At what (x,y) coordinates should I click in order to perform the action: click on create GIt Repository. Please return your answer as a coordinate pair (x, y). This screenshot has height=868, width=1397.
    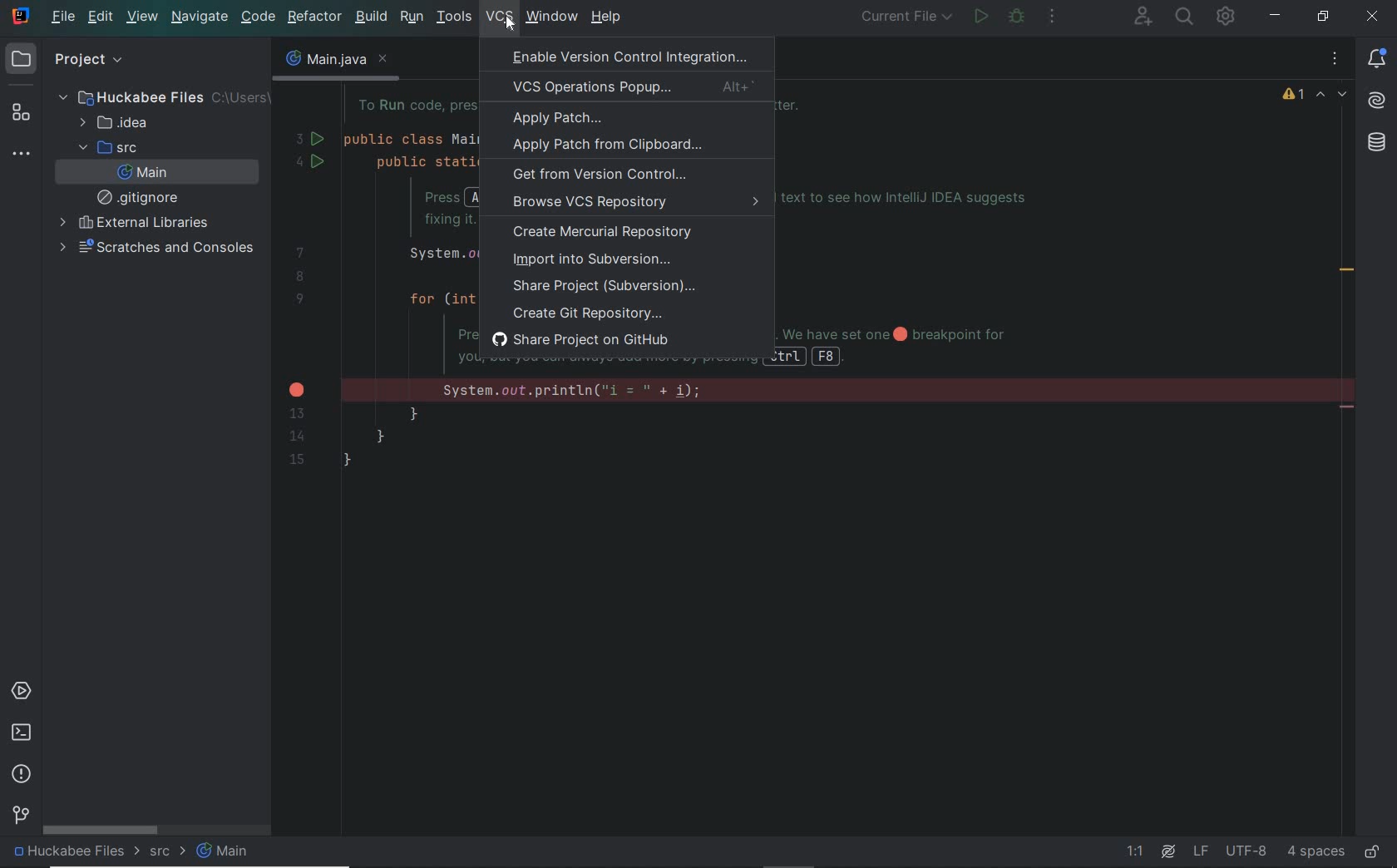
    Looking at the image, I should click on (588, 313).